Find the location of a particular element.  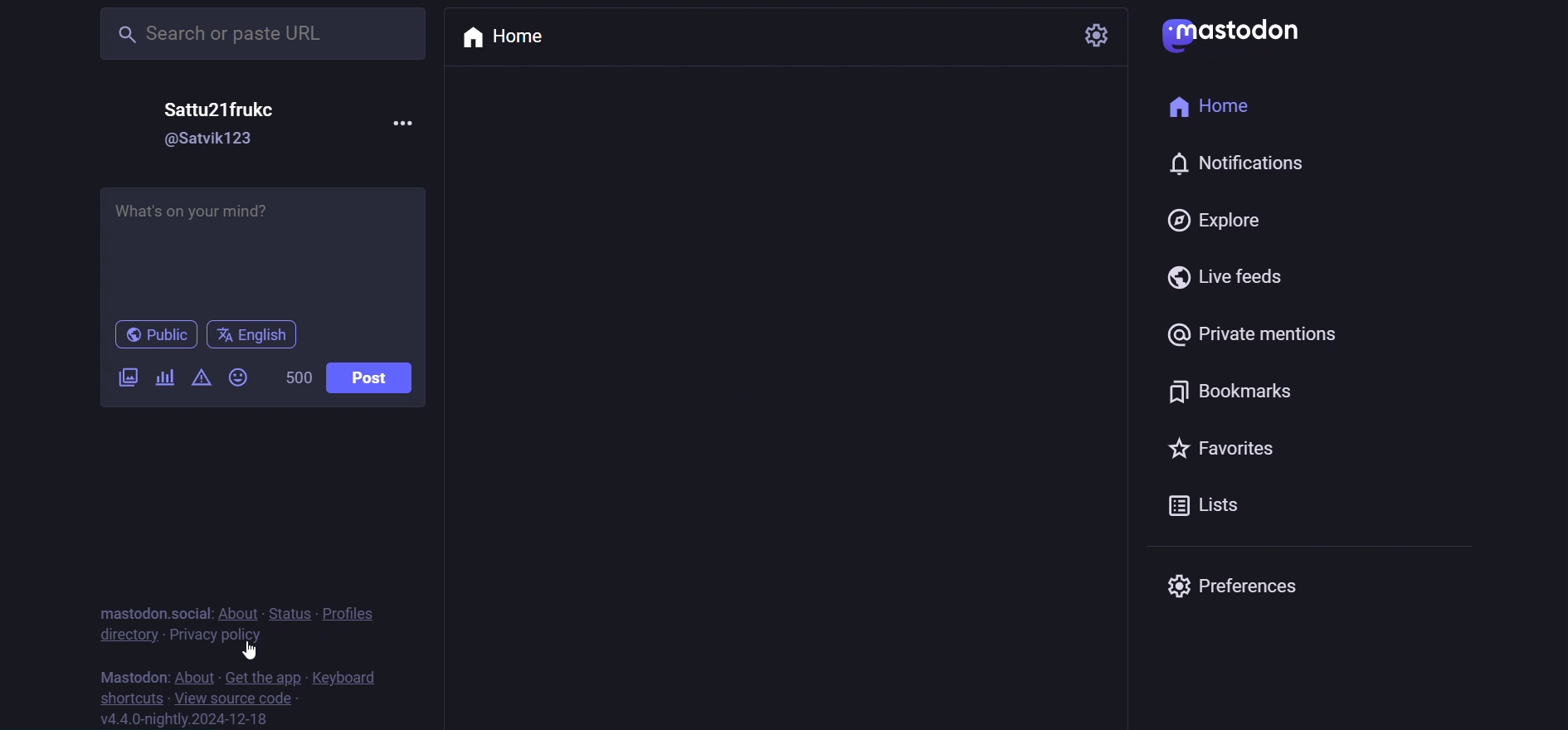

profiles is located at coordinates (353, 610).